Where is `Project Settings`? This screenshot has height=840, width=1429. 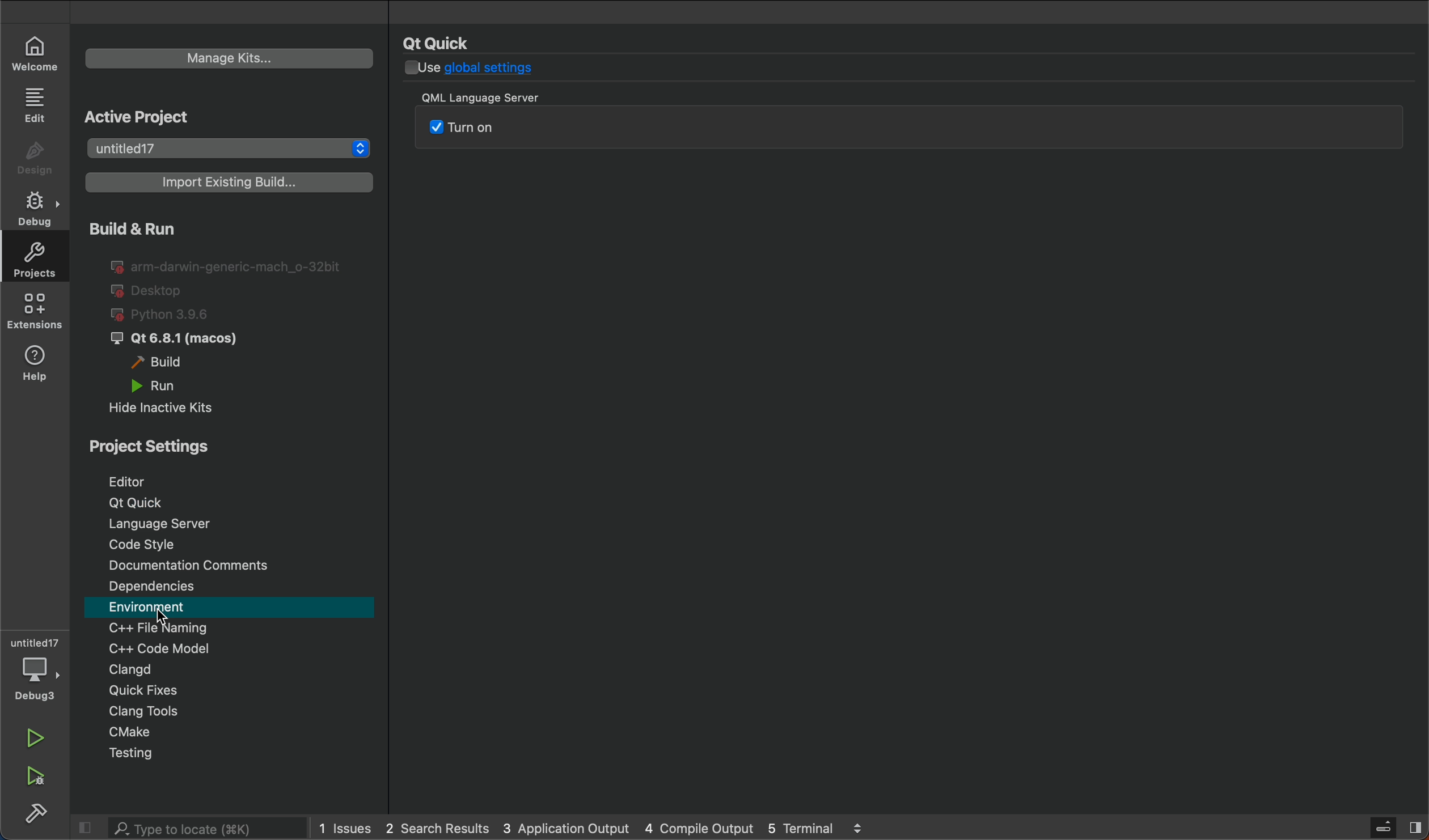
Project Settings is located at coordinates (223, 443).